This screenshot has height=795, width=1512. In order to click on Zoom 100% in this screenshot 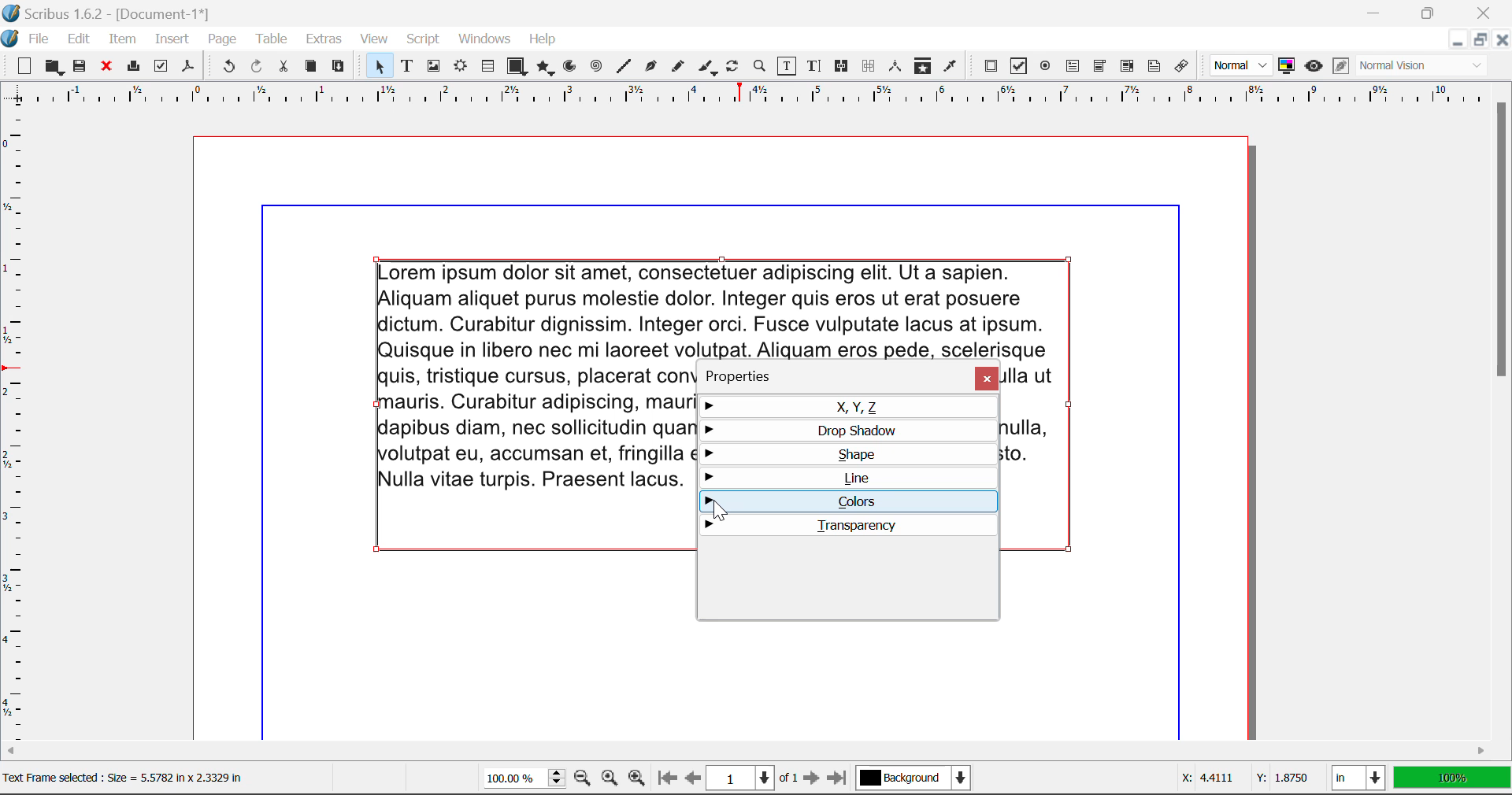, I will do `click(524, 778)`.